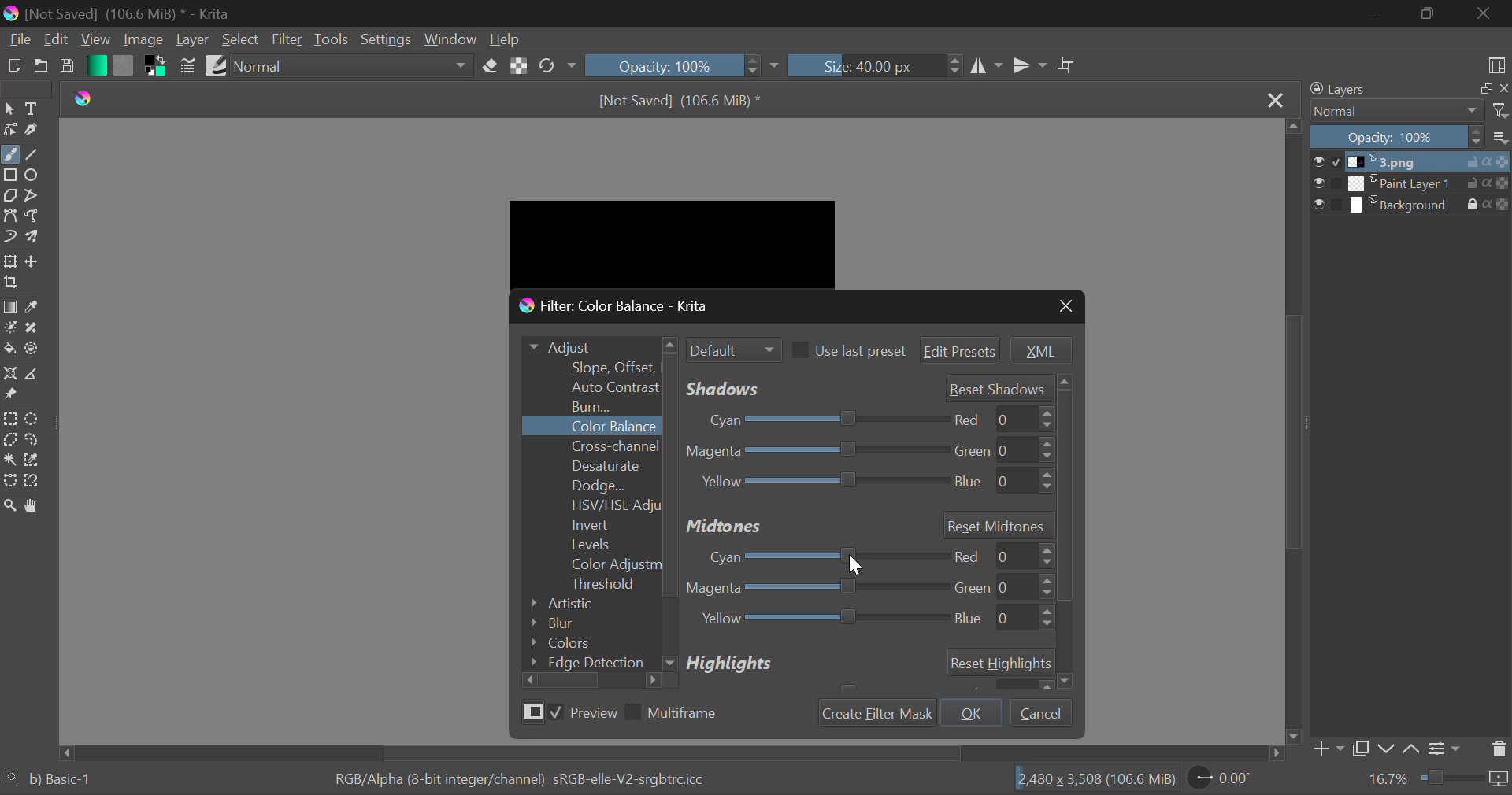 This screenshot has width=1512, height=795. What do you see at coordinates (450, 39) in the screenshot?
I see `Window` at bounding box center [450, 39].